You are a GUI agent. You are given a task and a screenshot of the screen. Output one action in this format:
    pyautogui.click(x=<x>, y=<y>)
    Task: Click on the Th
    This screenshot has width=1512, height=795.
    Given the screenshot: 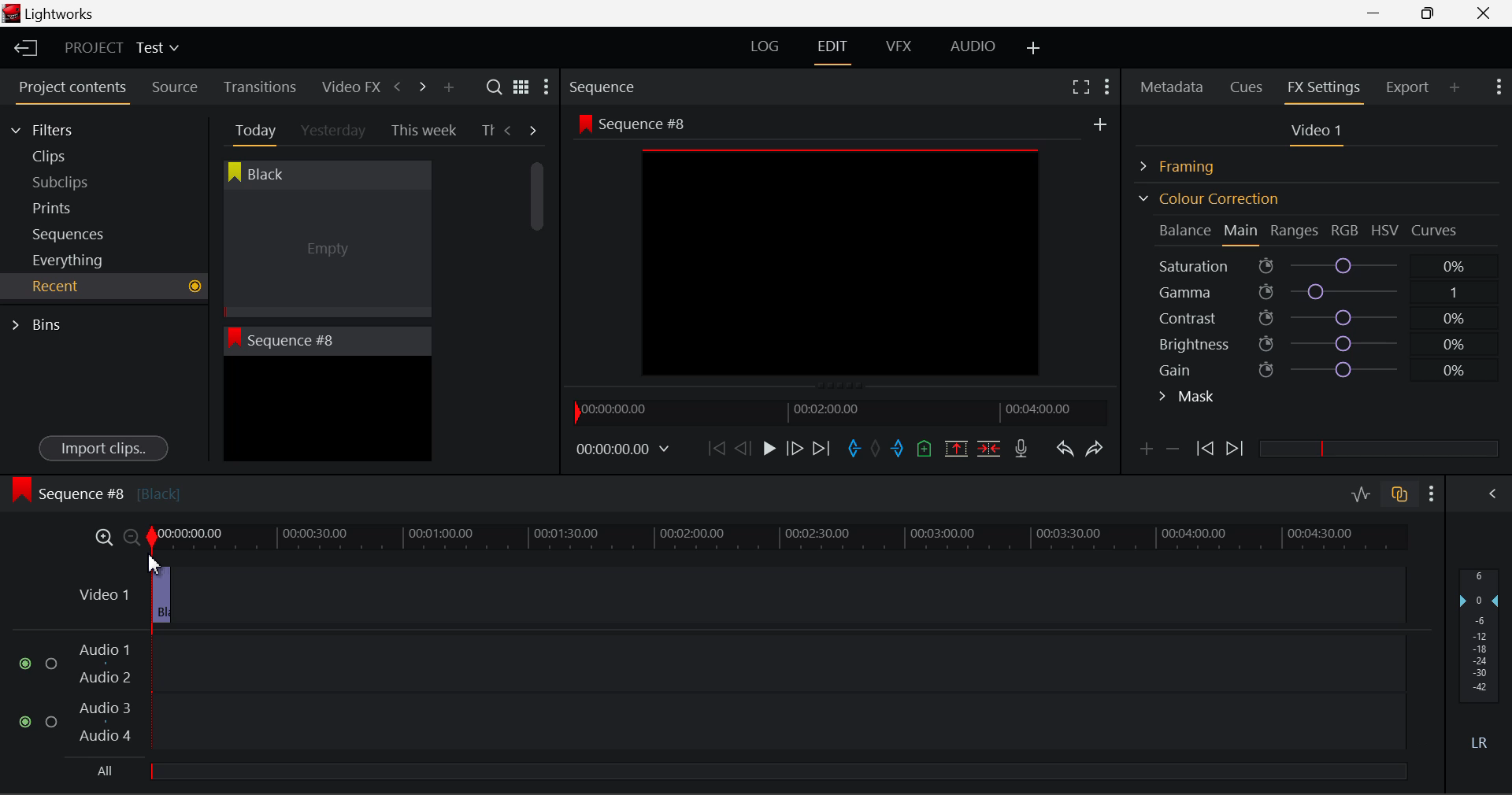 What is the action you would take?
    pyautogui.click(x=487, y=130)
    